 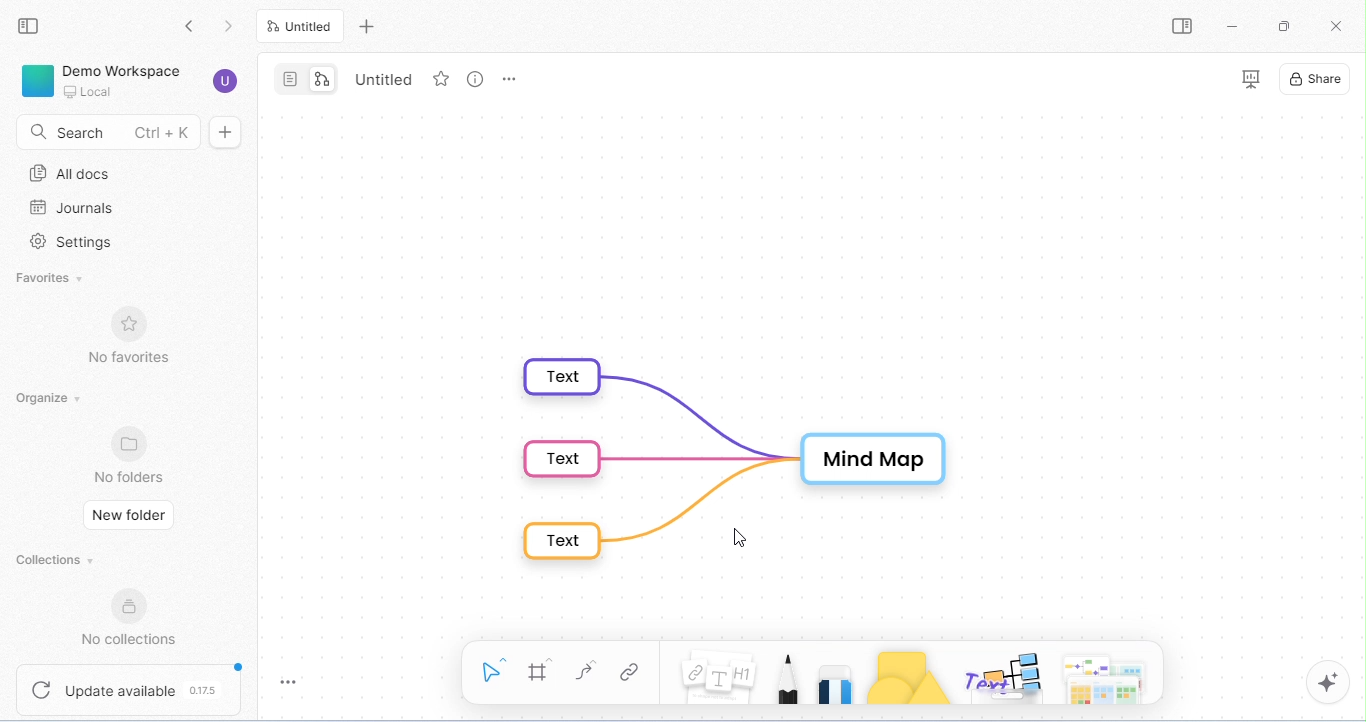 What do you see at coordinates (627, 674) in the screenshot?
I see `link` at bounding box center [627, 674].